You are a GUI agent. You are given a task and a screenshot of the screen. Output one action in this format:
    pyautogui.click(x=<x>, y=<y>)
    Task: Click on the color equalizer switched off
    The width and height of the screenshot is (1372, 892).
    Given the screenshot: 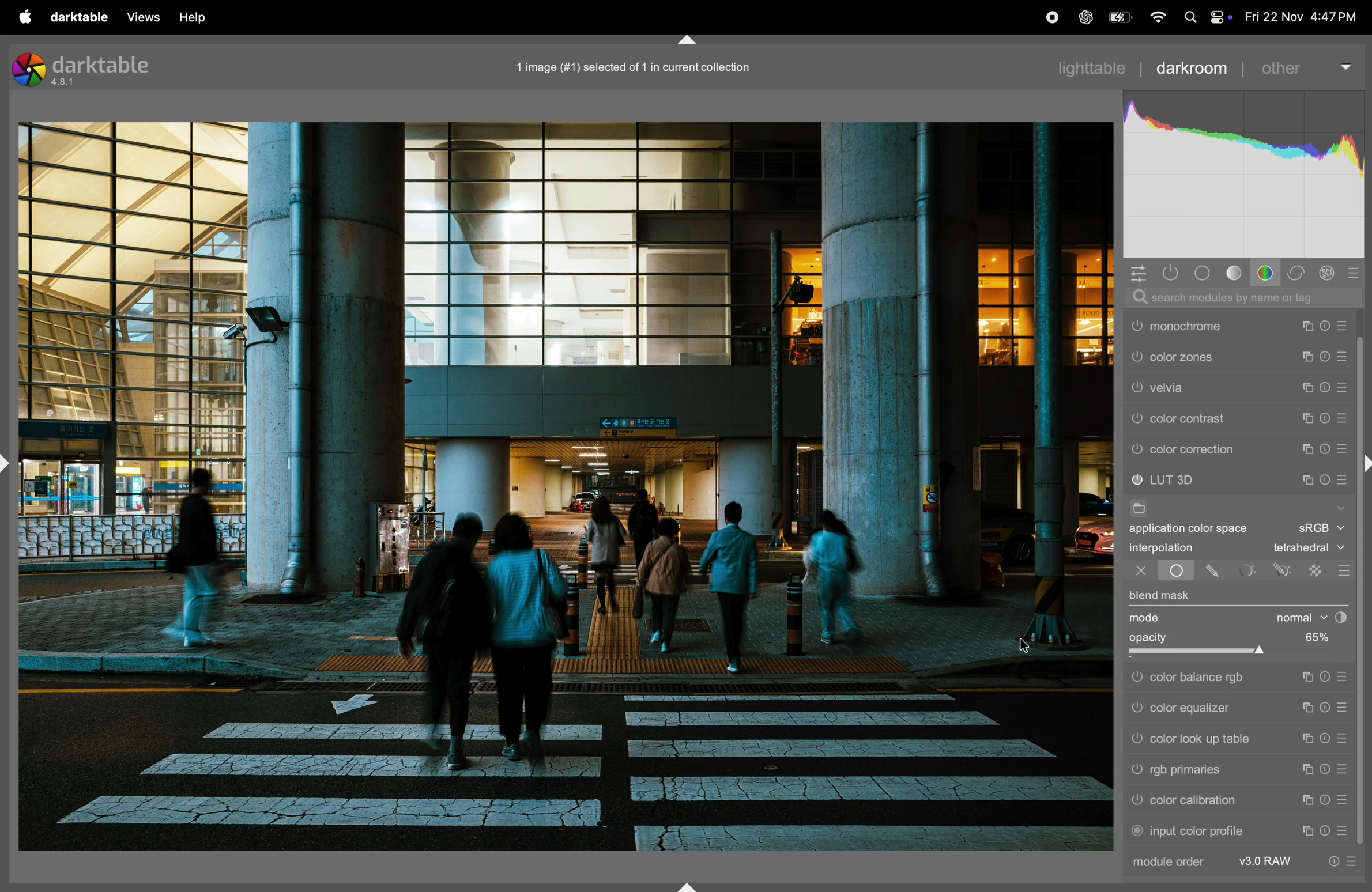 What is the action you would take?
    pyautogui.click(x=1135, y=712)
    